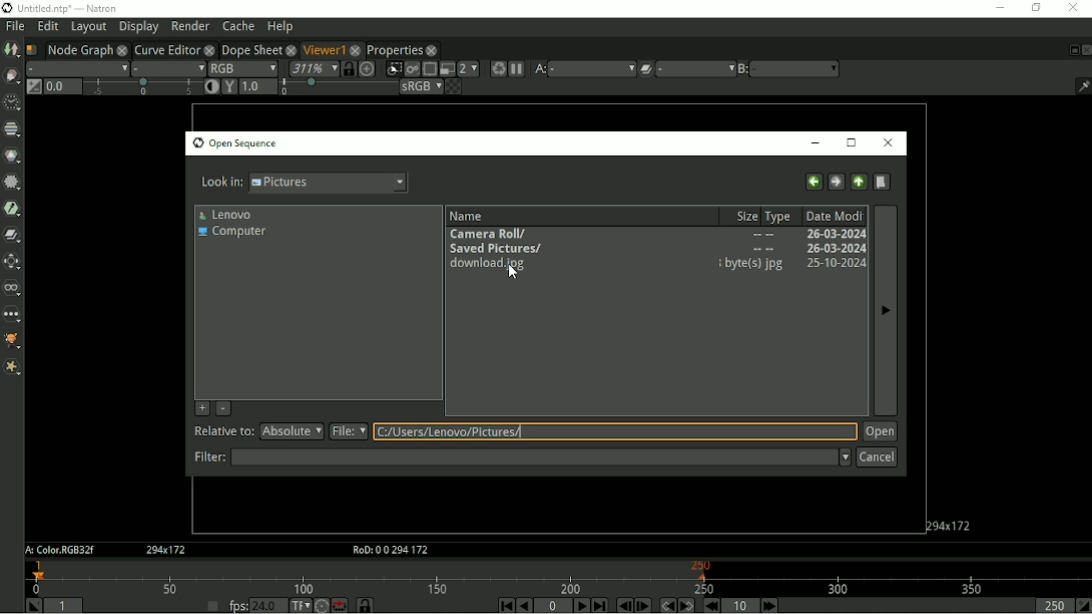 Image resolution: width=1092 pixels, height=614 pixels. I want to click on cursor, so click(512, 273).